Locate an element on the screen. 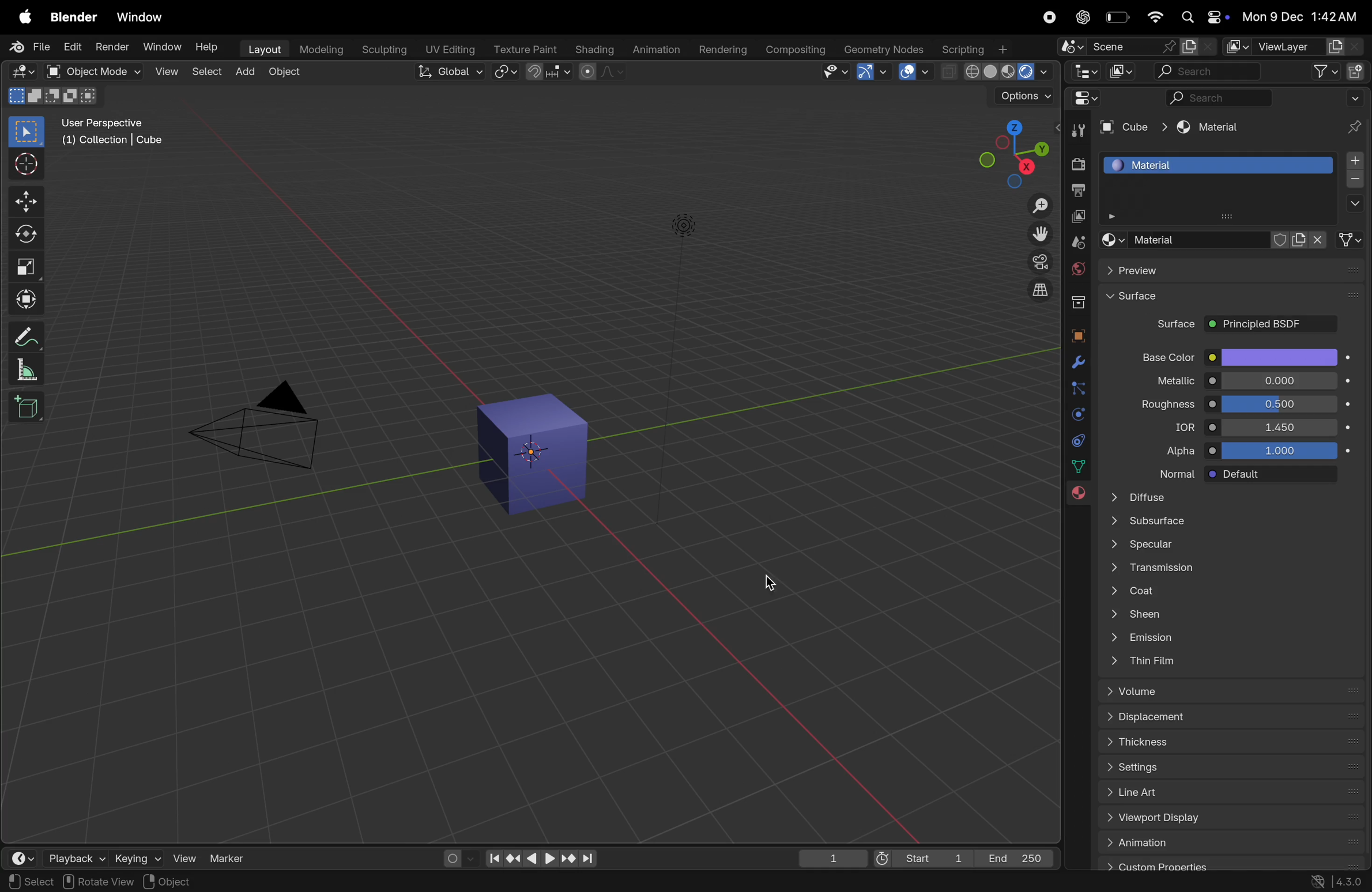 The height and width of the screenshot is (892, 1372). perspective camera is located at coordinates (261, 428).